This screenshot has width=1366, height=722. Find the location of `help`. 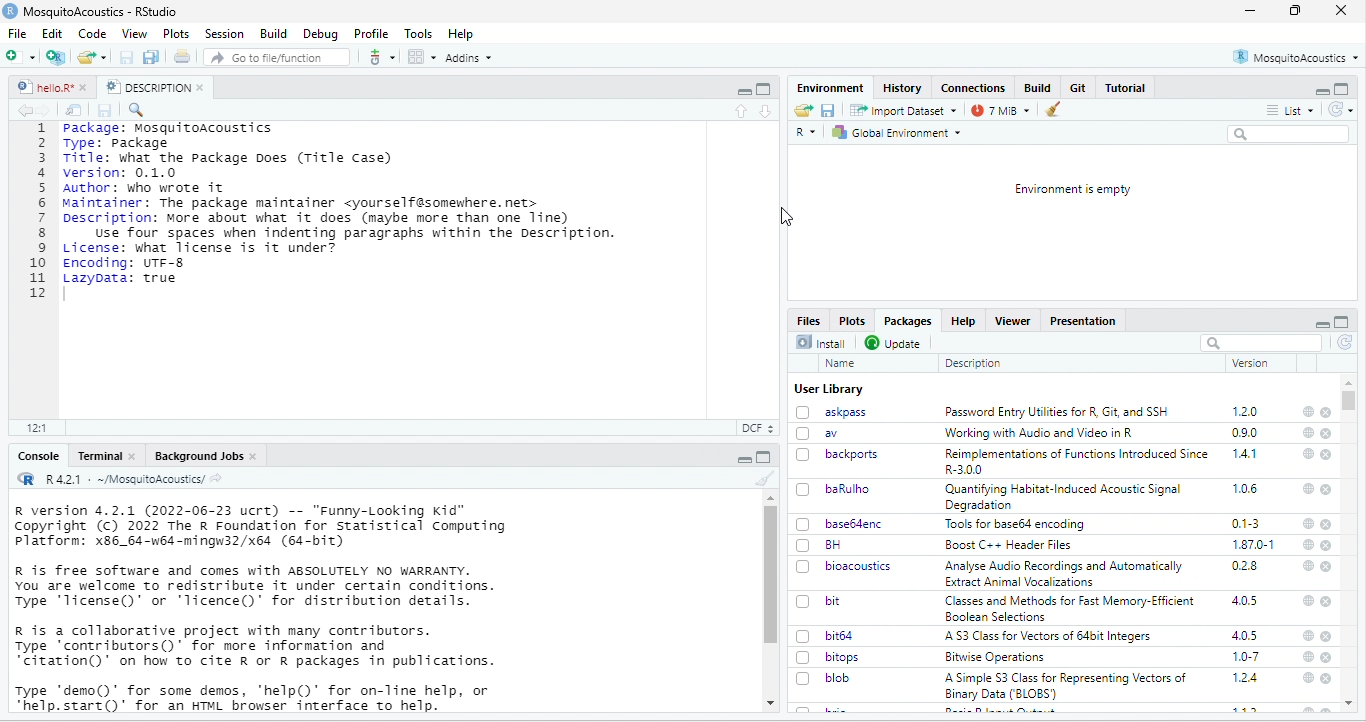

help is located at coordinates (1306, 434).